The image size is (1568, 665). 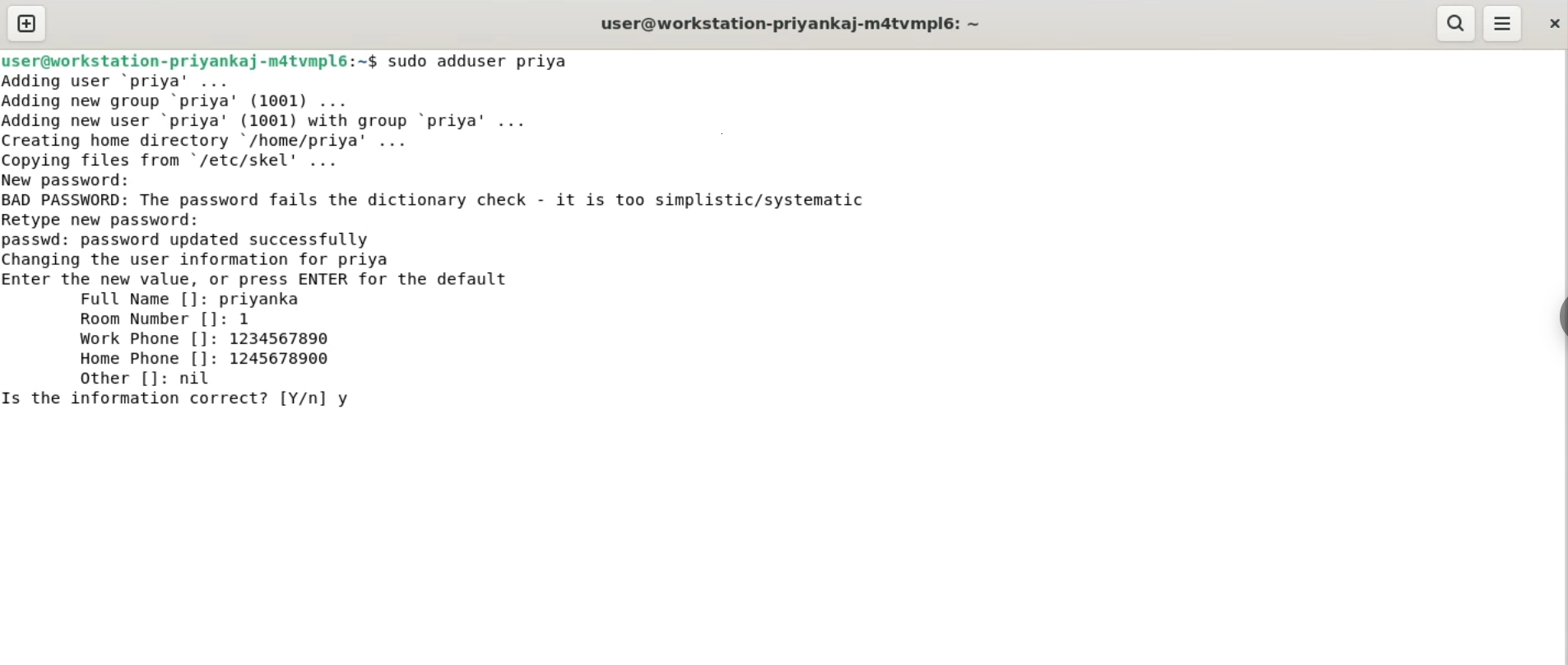 What do you see at coordinates (142, 378) in the screenshot?
I see `Other [1]: nil` at bounding box center [142, 378].